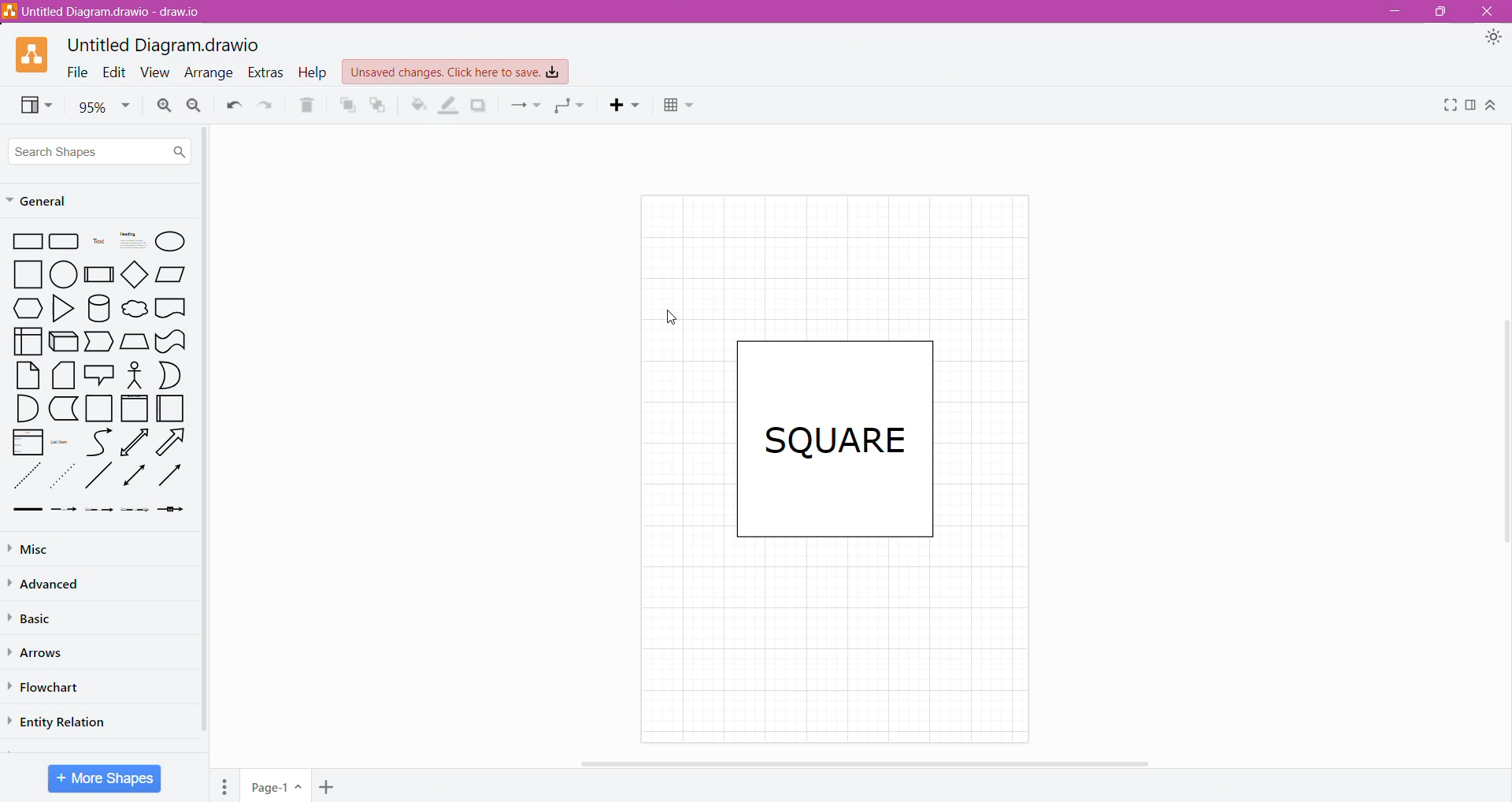 Image resolution: width=1512 pixels, height=802 pixels. What do you see at coordinates (31, 106) in the screenshot?
I see `View` at bounding box center [31, 106].